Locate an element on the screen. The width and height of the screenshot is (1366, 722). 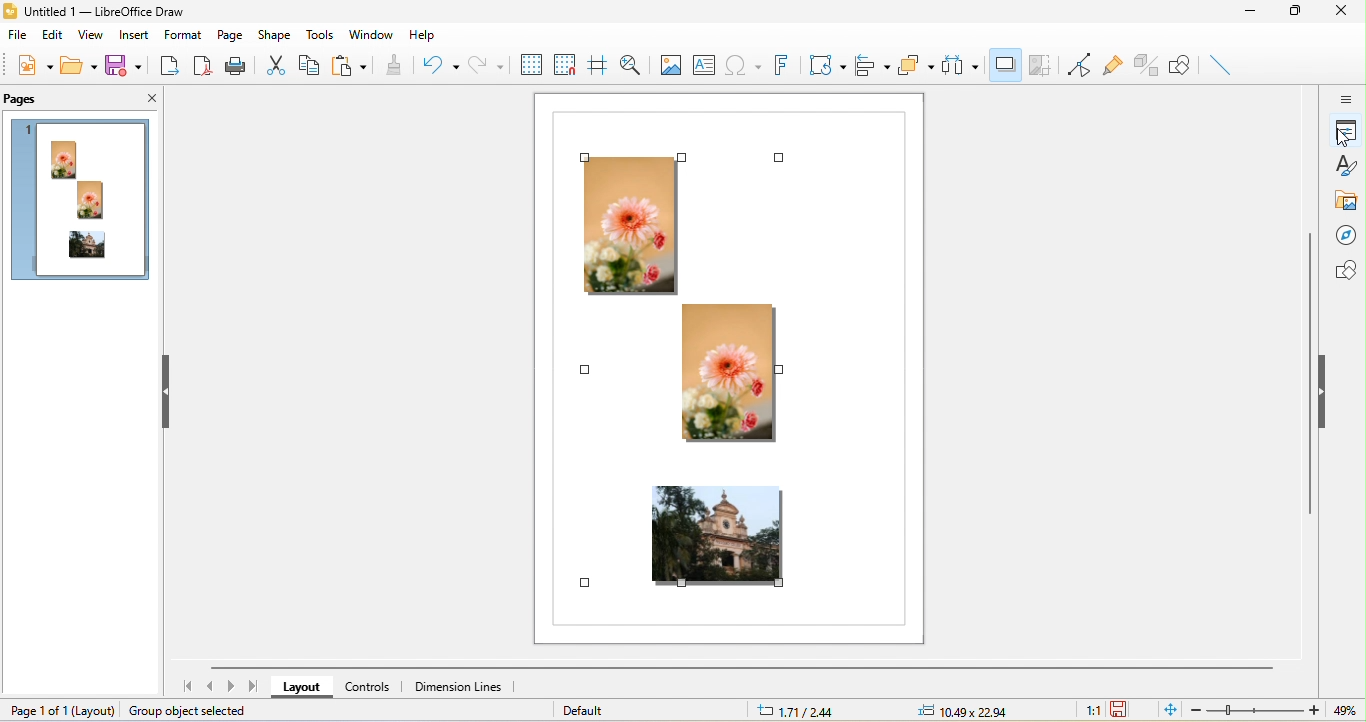
sidebar settings is located at coordinates (1346, 101).